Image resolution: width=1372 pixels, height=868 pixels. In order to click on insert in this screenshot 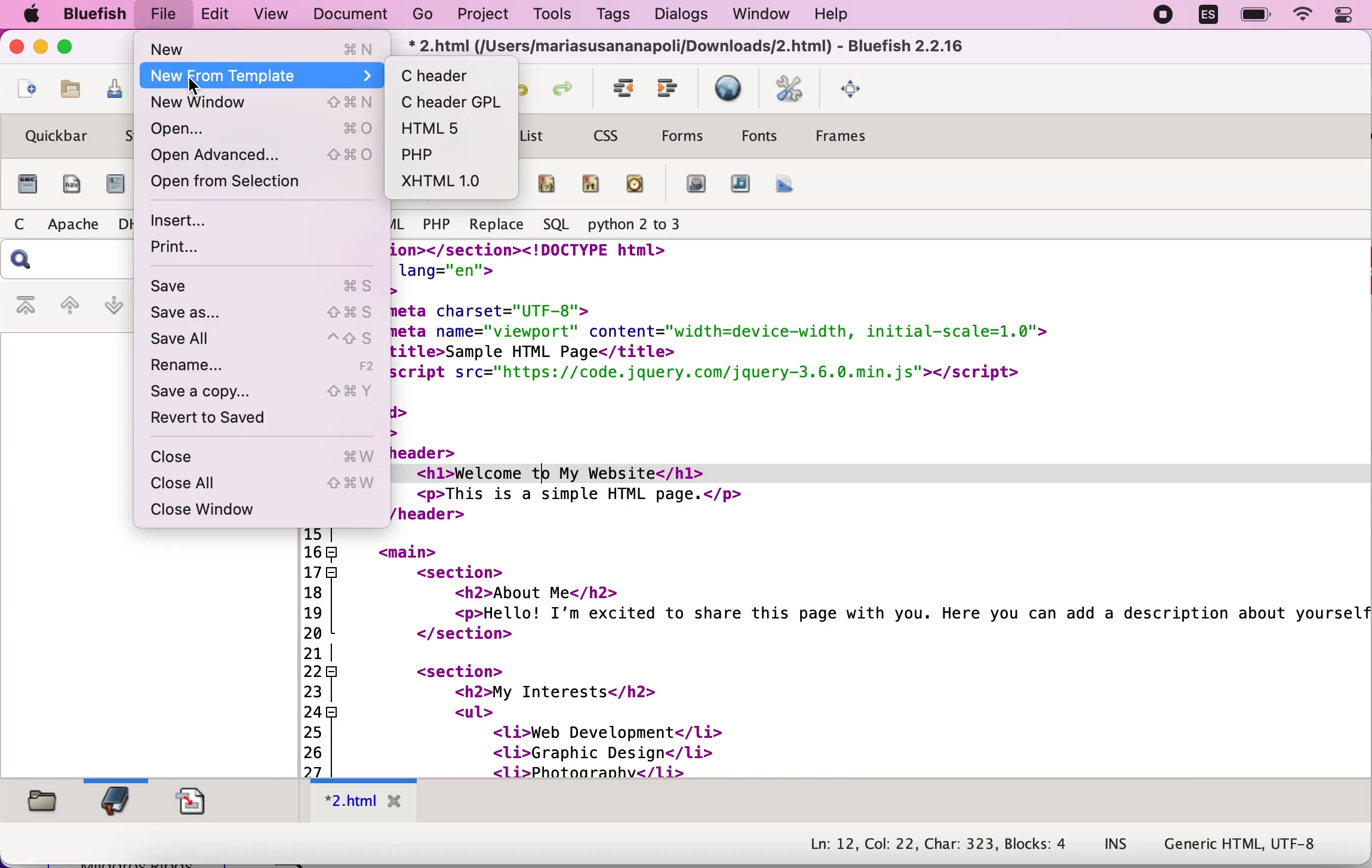, I will do `click(242, 221)`.